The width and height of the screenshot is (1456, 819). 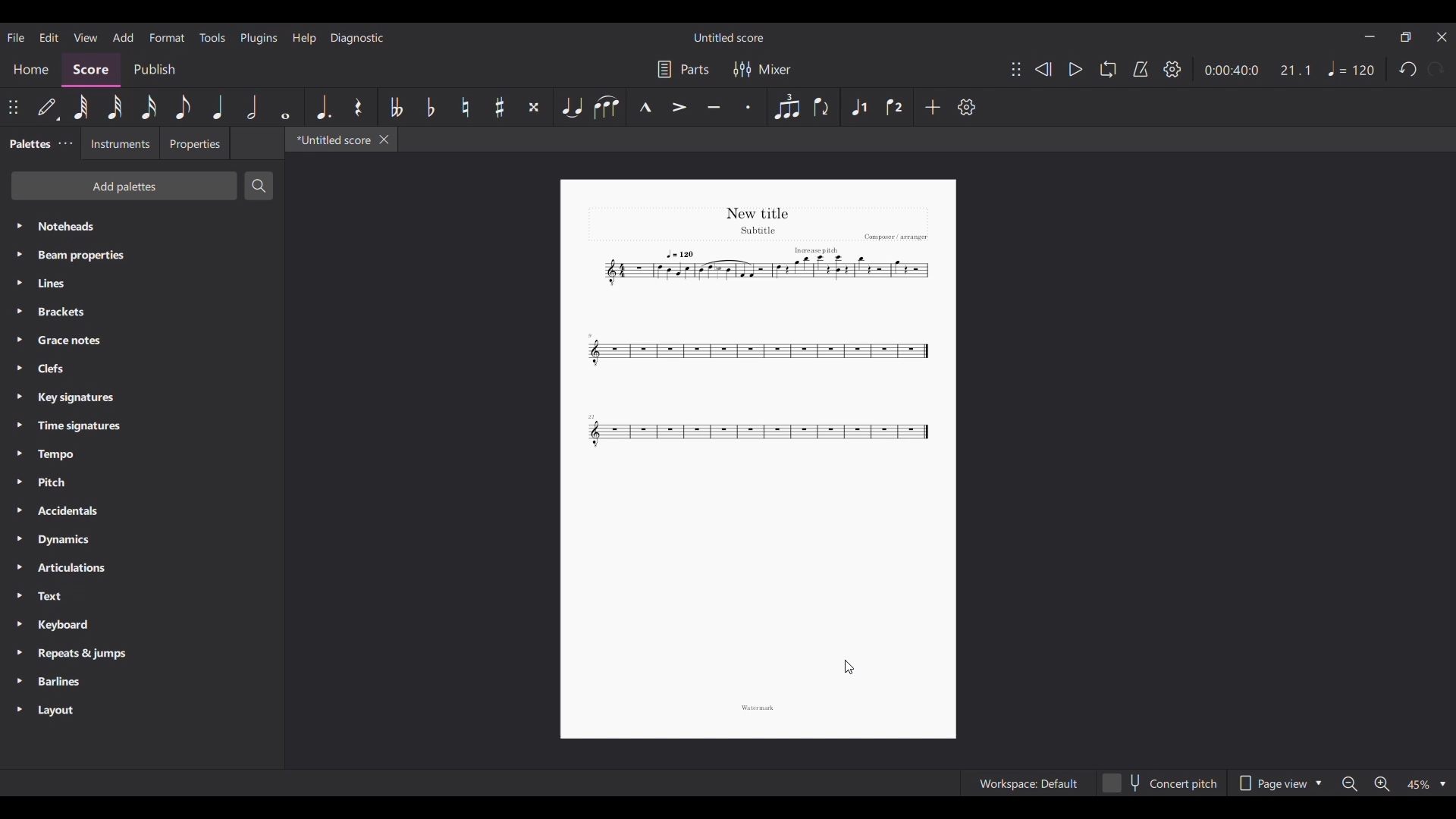 I want to click on Cursor, so click(x=849, y=667).